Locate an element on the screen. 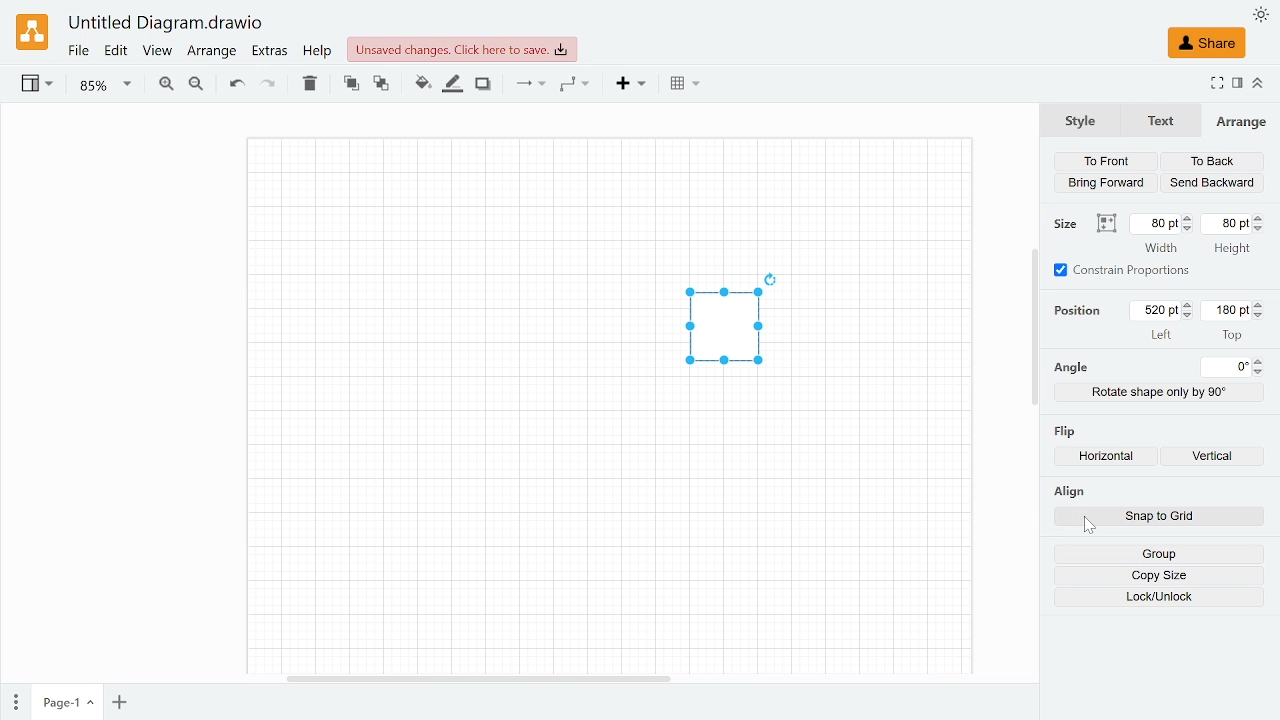  Arrange is located at coordinates (1241, 121).